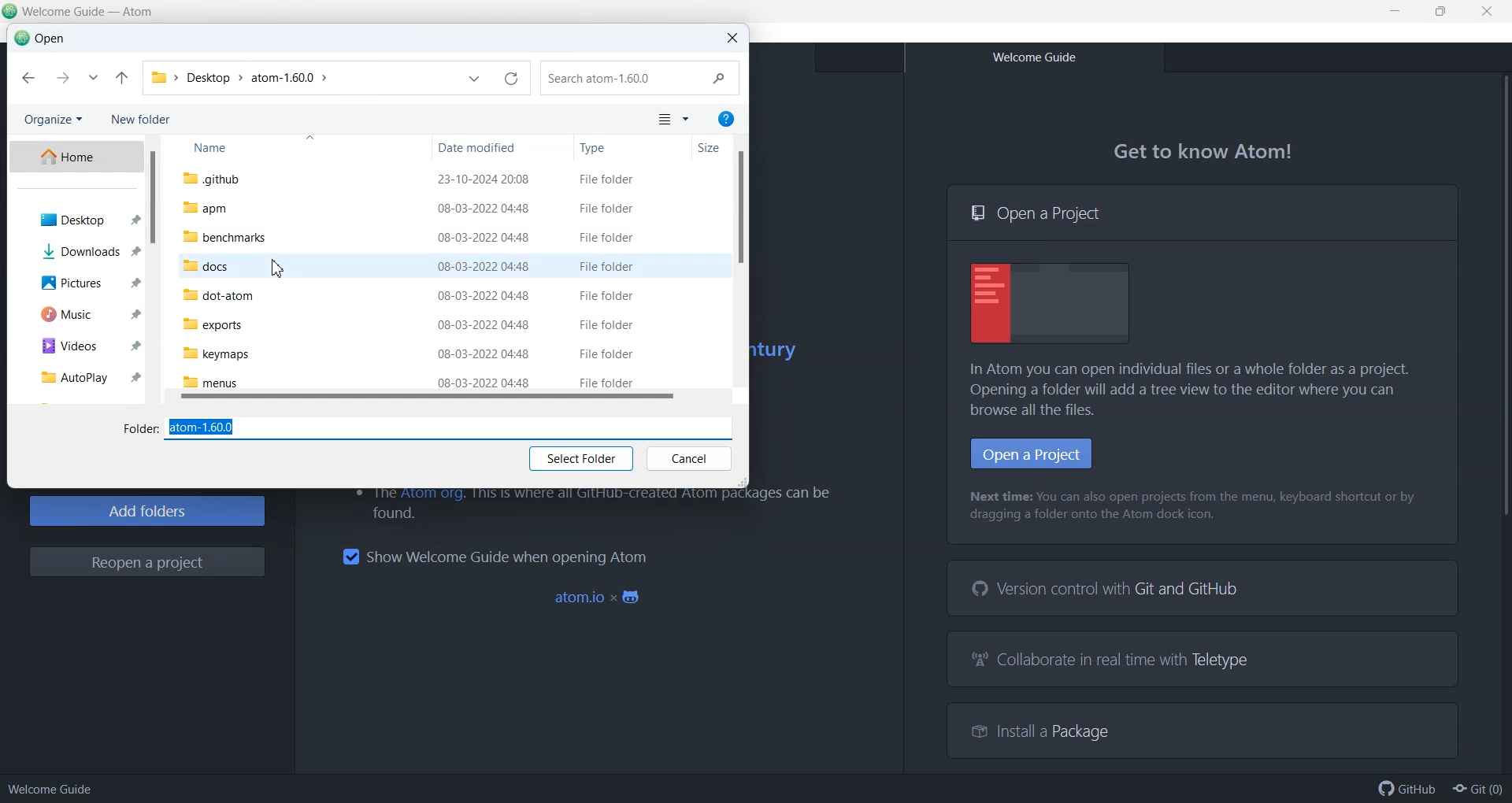  What do you see at coordinates (296, 149) in the screenshot?
I see `Name` at bounding box center [296, 149].